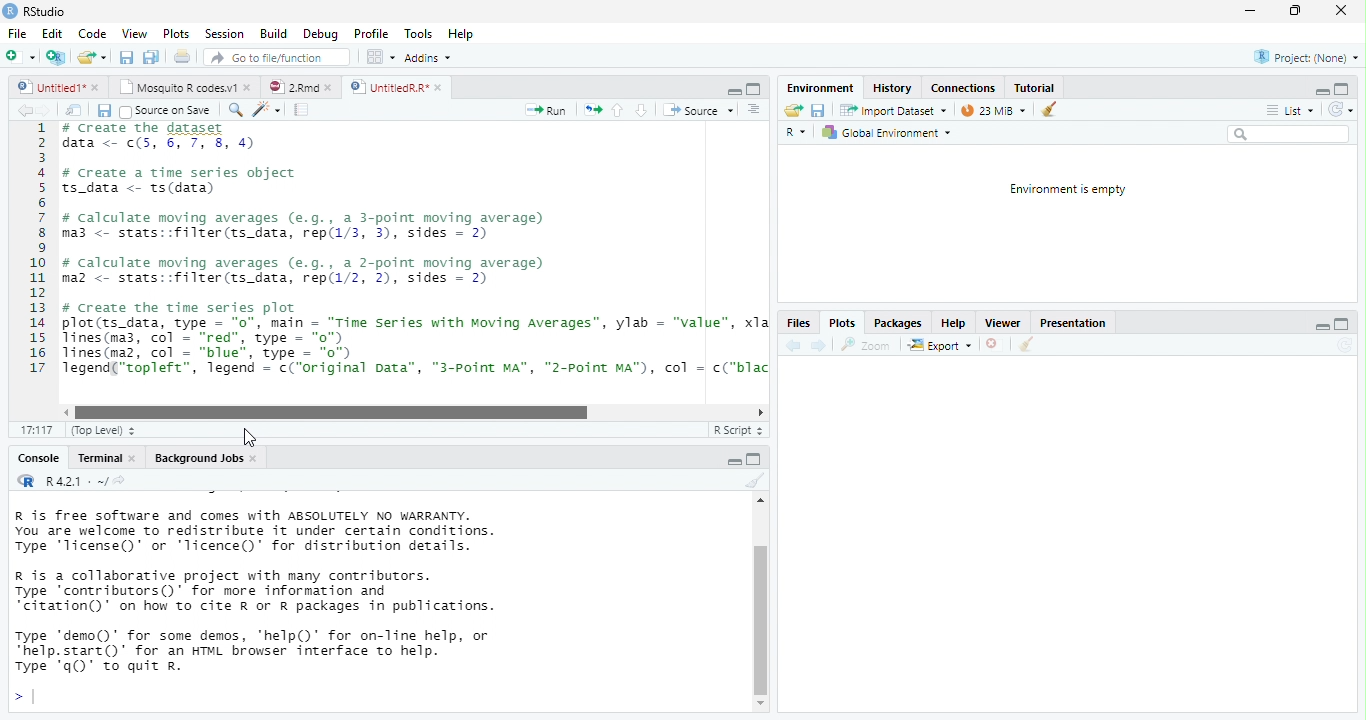 This screenshot has width=1366, height=720. What do you see at coordinates (23, 698) in the screenshot?
I see `>` at bounding box center [23, 698].